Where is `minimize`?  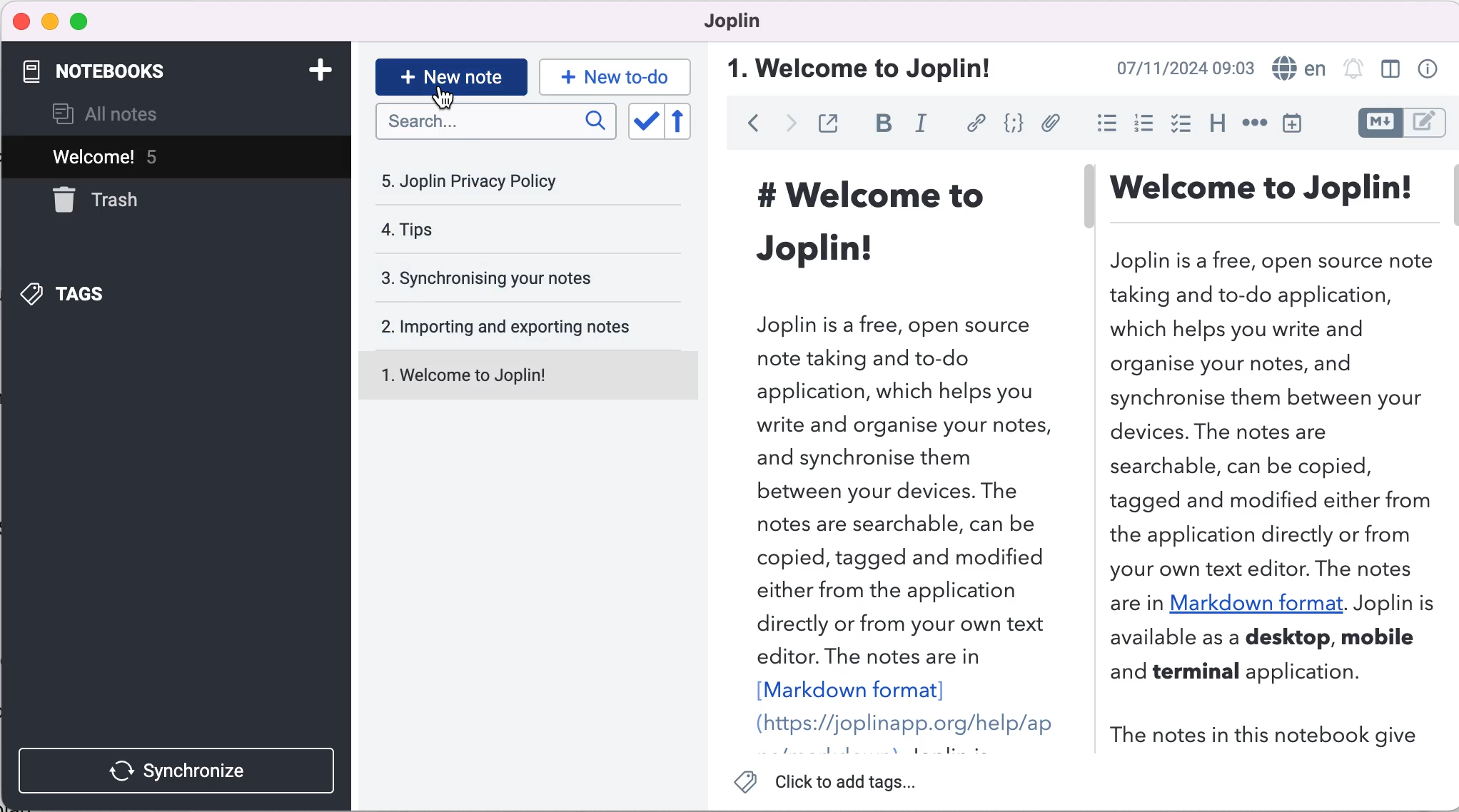 minimize is located at coordinates (50, 21).